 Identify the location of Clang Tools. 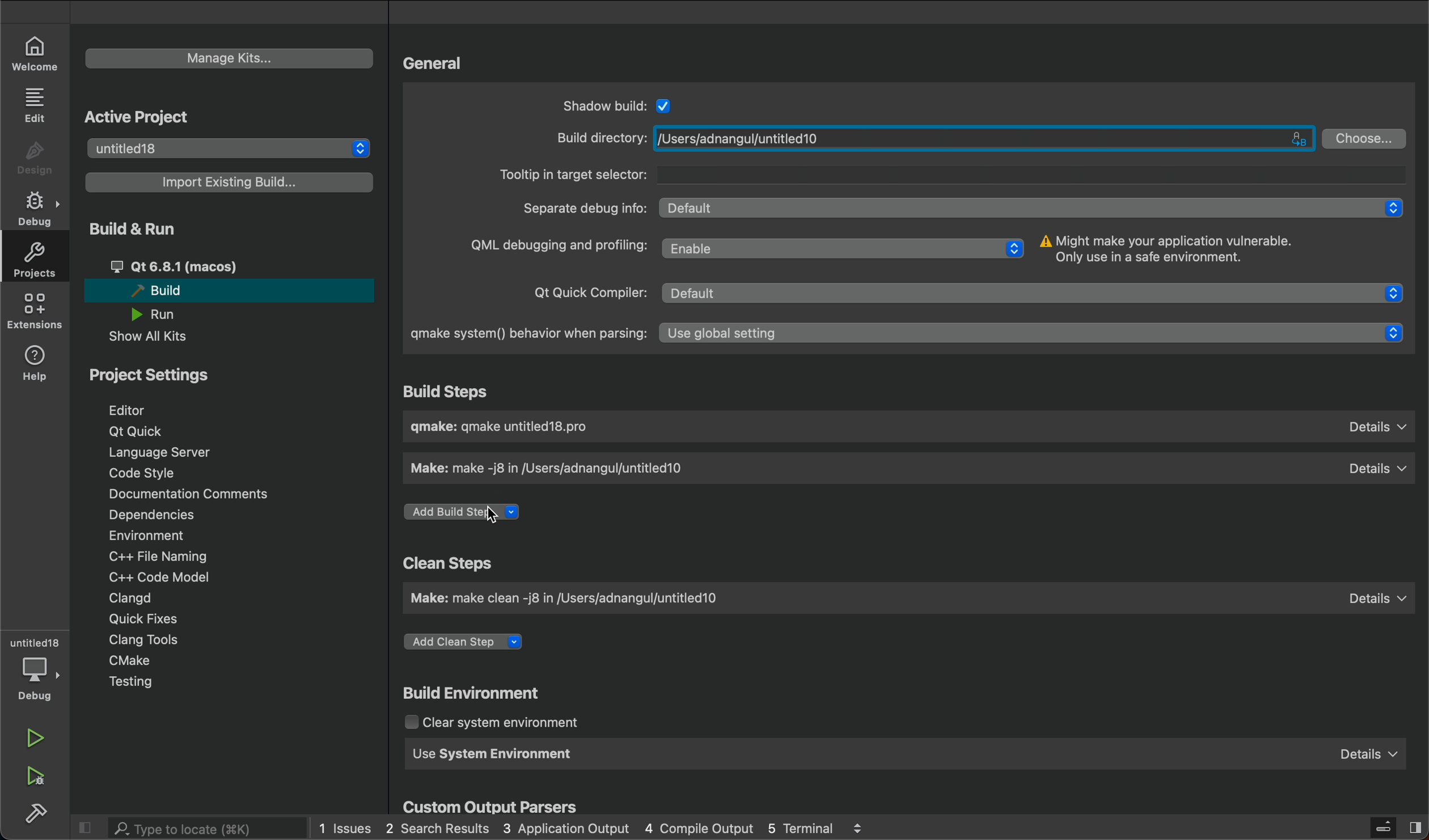
(146, 638).